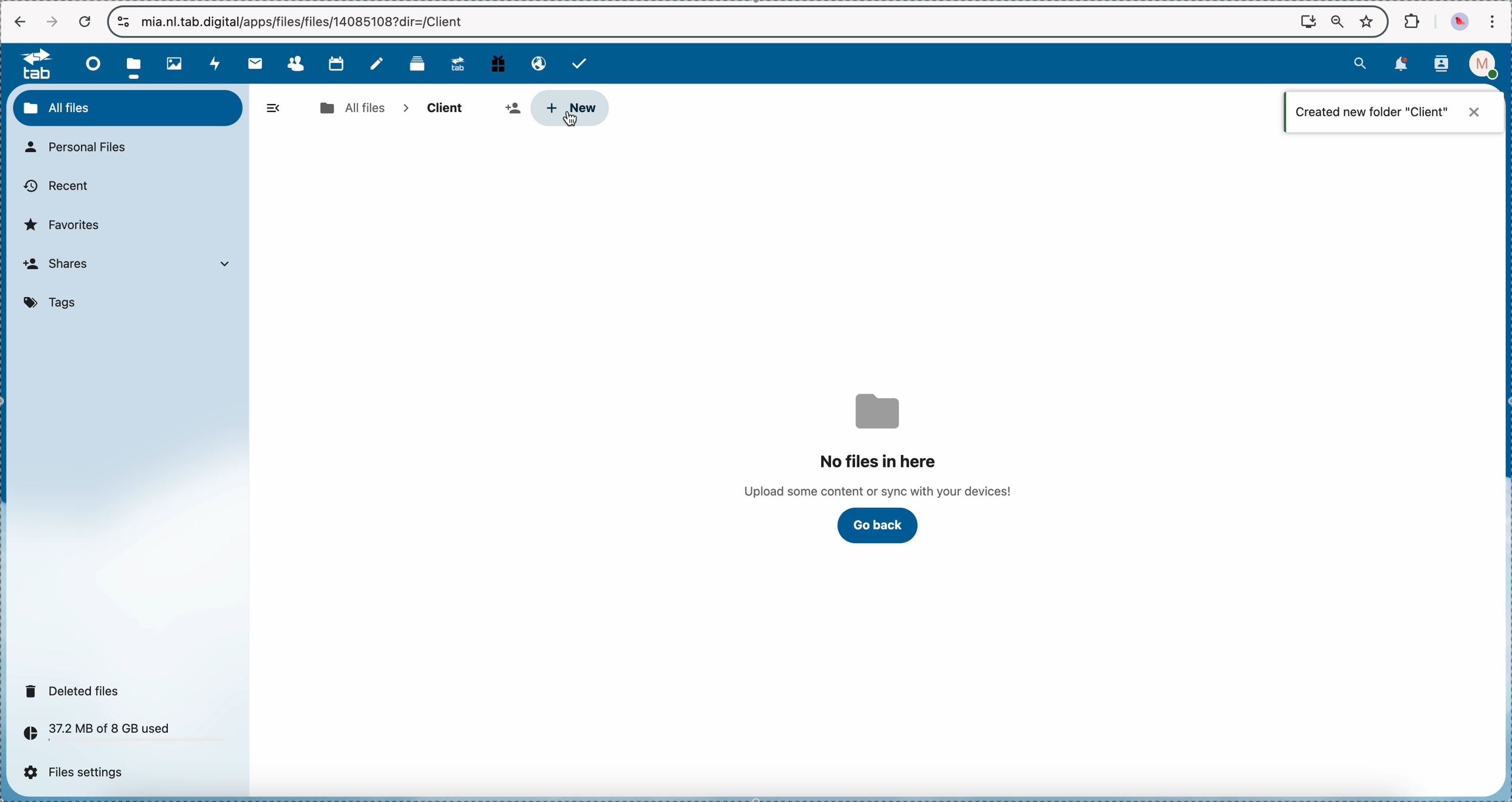 The height and width of the screenshot is (802, 1512). Describe the element at coordinates (178, 64) in the screenshot. I see `photos` at that location.